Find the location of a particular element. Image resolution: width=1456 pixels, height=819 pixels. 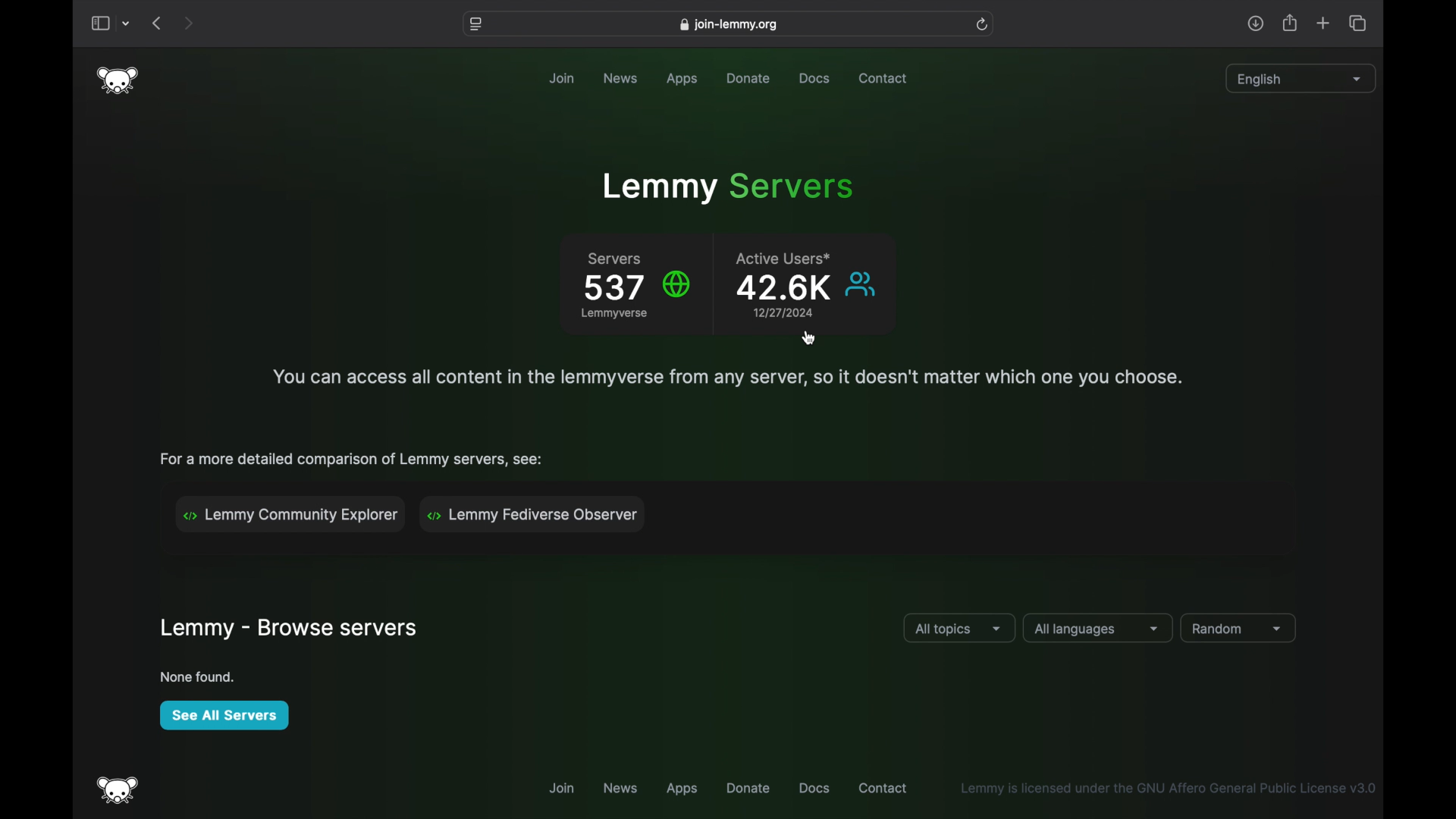

lemmy icon is located at coordinates (118, 790).